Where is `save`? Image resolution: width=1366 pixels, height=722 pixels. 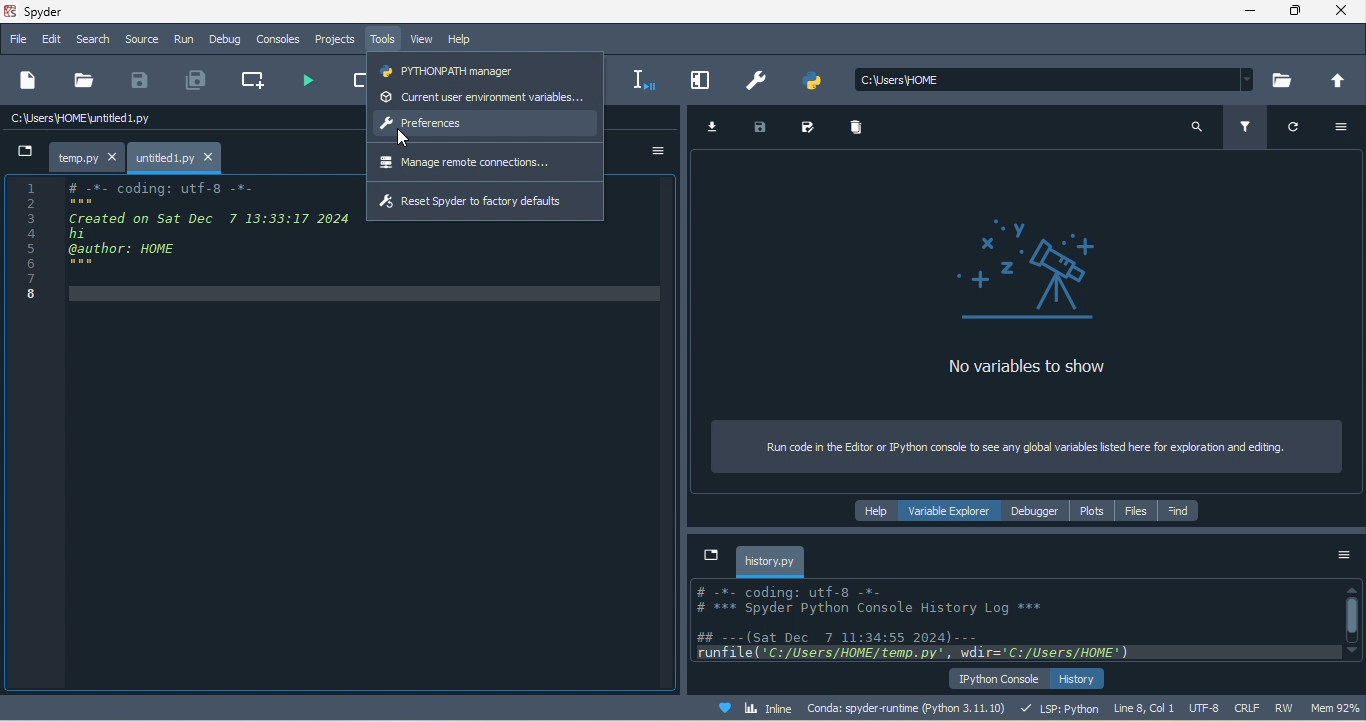 save is located at coordinates (764, 128).